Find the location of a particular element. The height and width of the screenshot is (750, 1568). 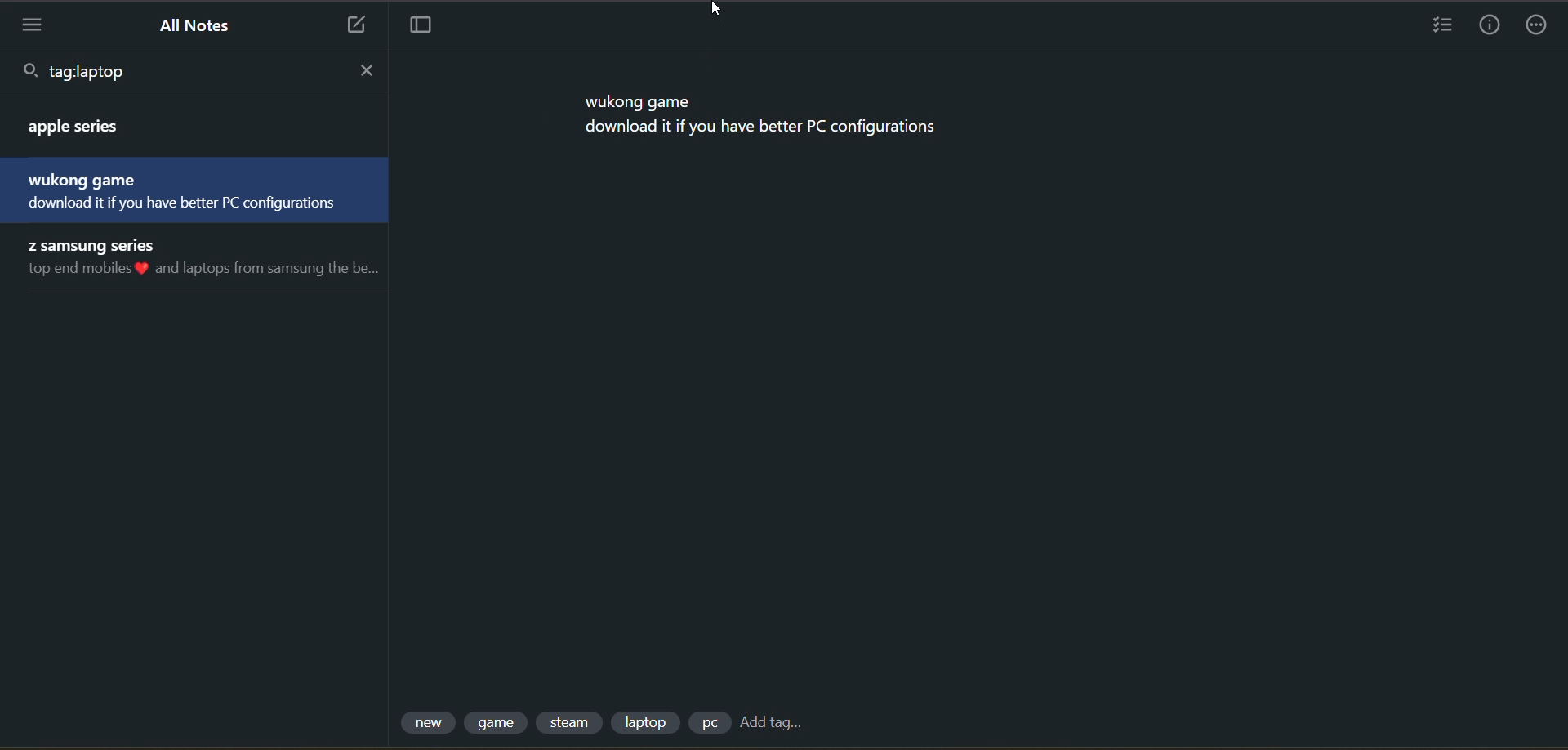

typed text is located at coordinates (84, 71).